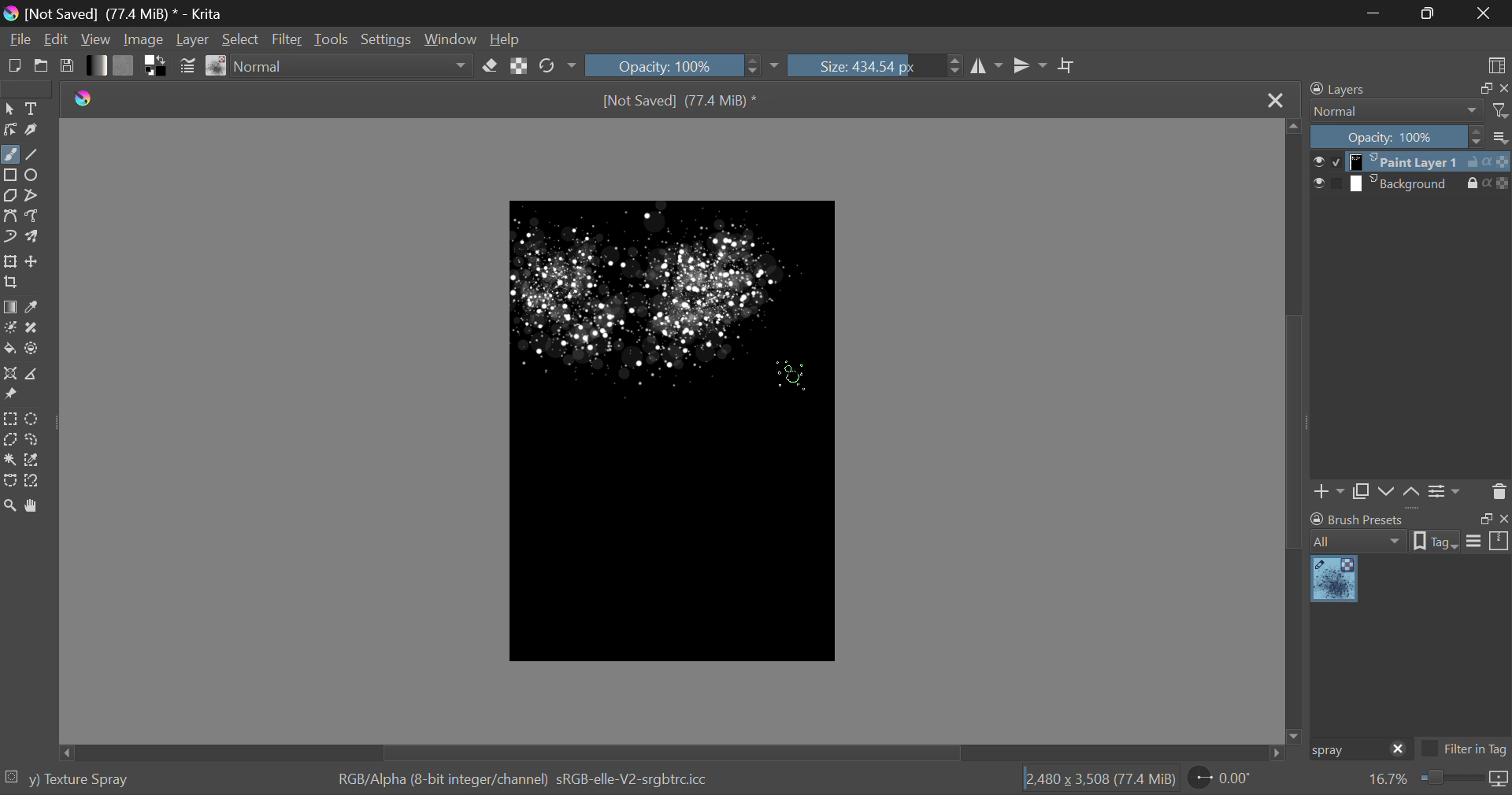 The image size is (1512, 795). I want to click on brush presets , so click(1358, 519).